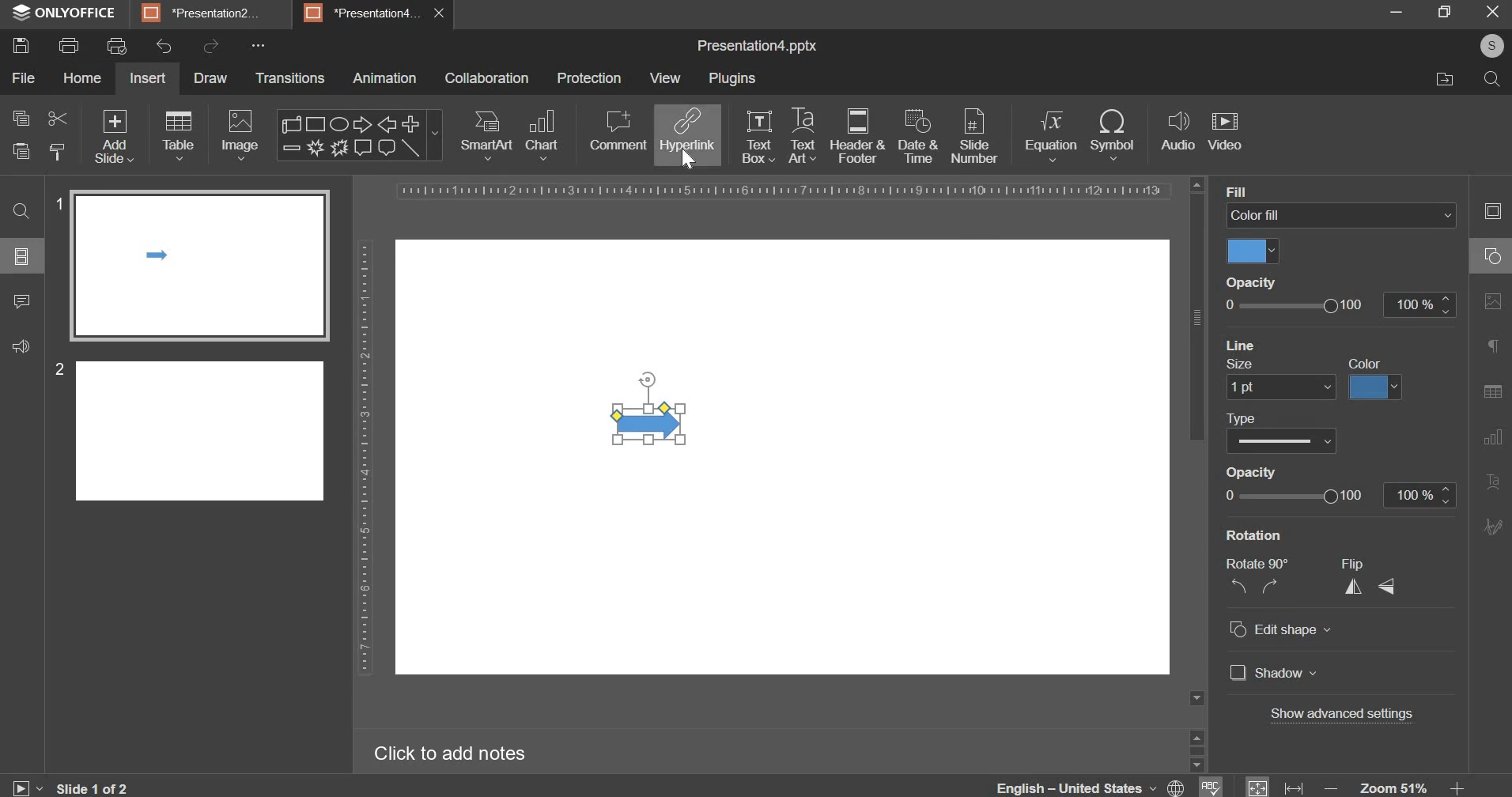 The width and height of the screenshot is (1512, 797). What do you see at coordinates (148, 78) in the screenshot?
I see `insert` at bounding box center [148, 78].